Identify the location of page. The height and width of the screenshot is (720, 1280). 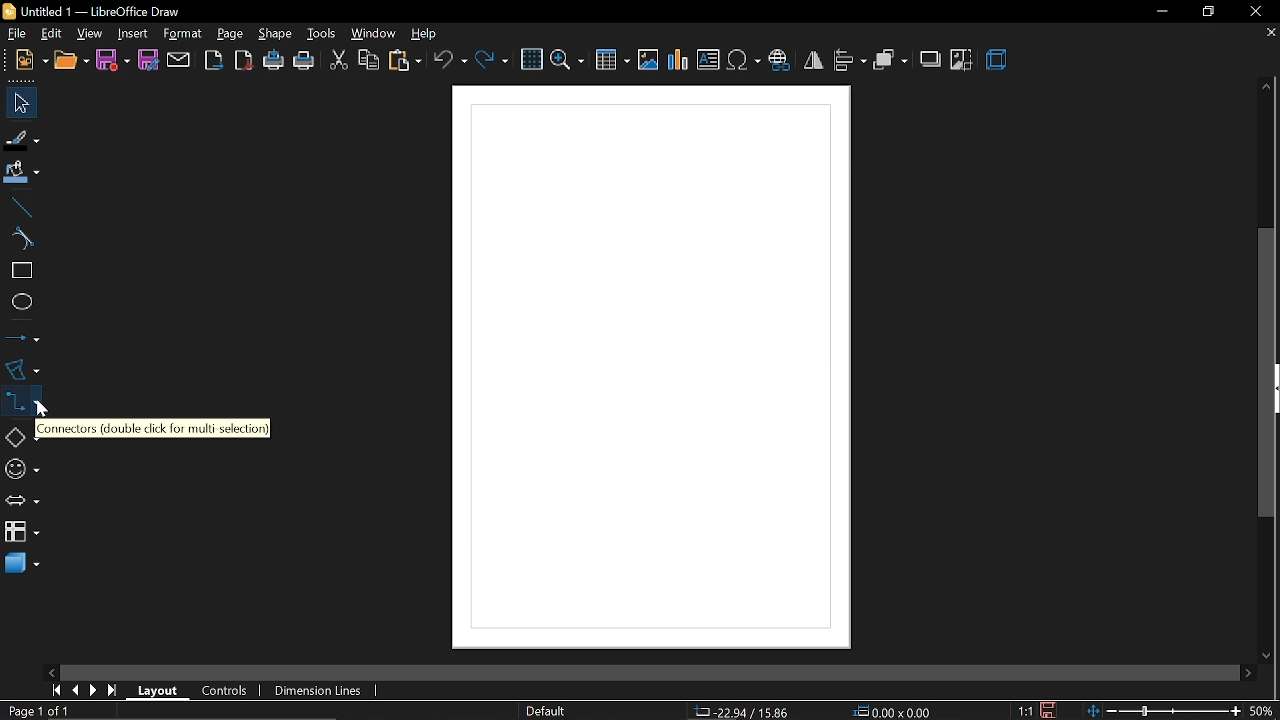
(230, 31).